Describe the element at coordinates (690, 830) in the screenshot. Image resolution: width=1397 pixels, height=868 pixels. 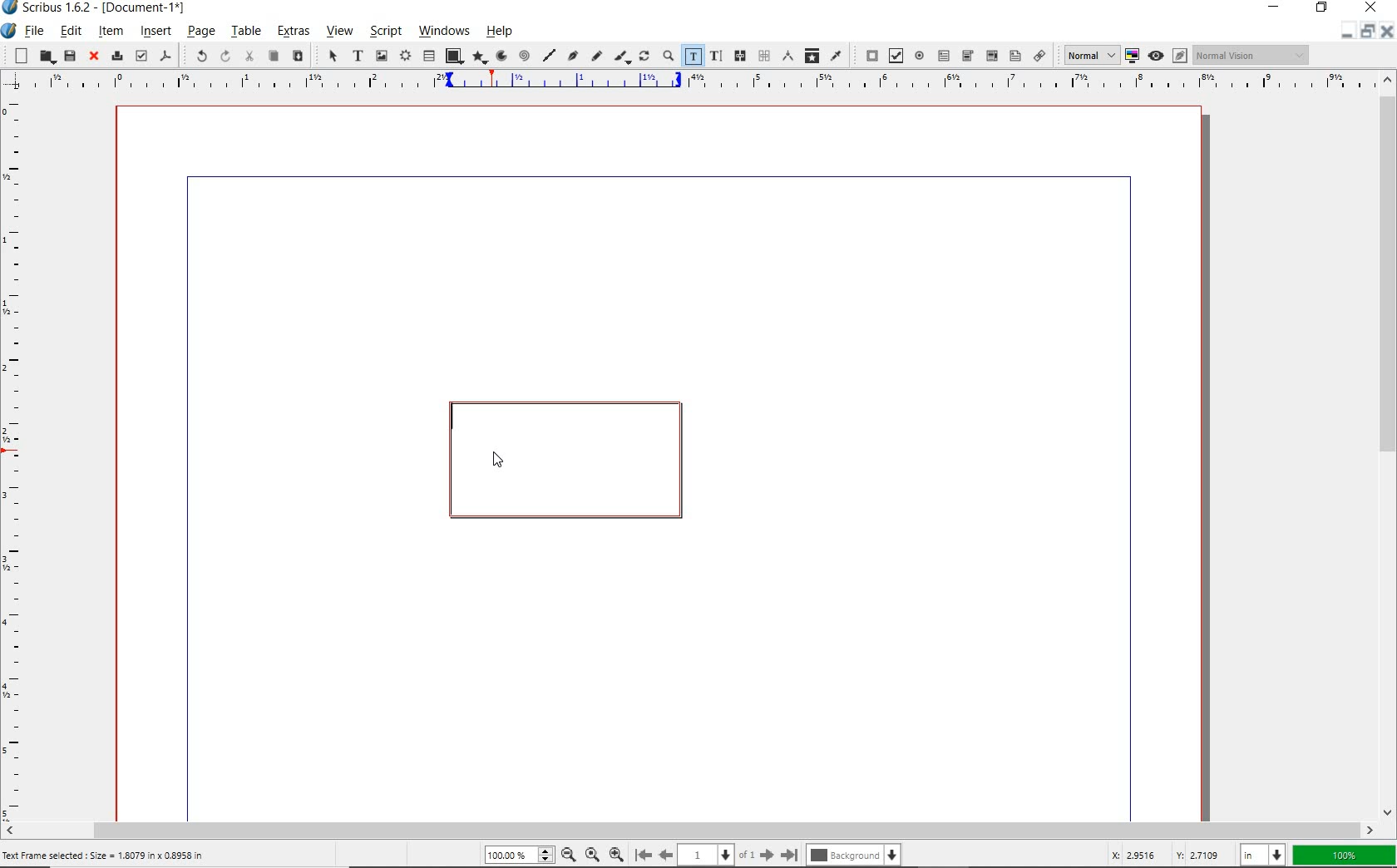
I see `scrollbar` at that location.